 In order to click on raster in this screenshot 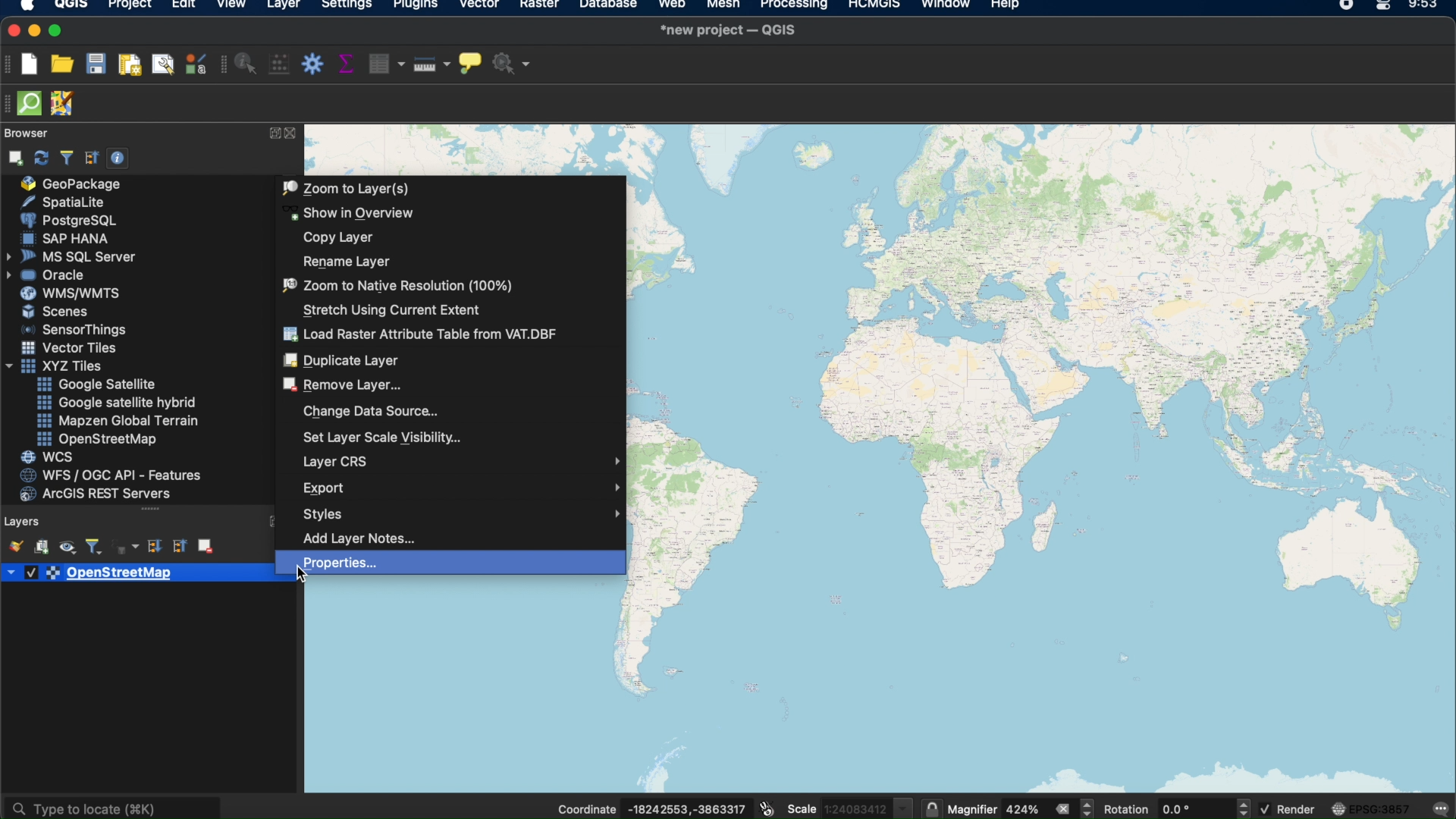, I will do `click(538, 6)`.